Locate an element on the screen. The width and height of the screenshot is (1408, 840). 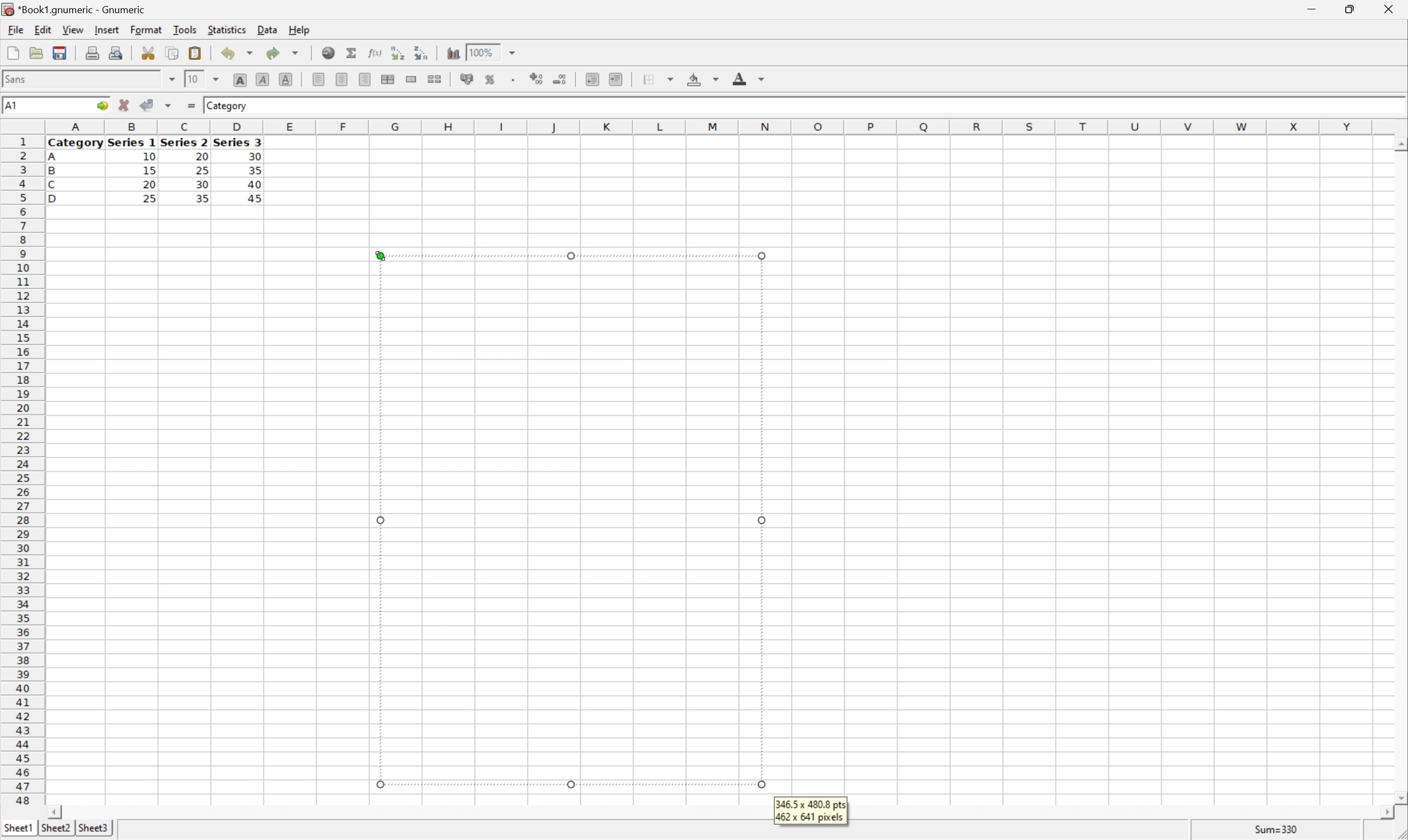
30 is located at coordinates (203, 186).